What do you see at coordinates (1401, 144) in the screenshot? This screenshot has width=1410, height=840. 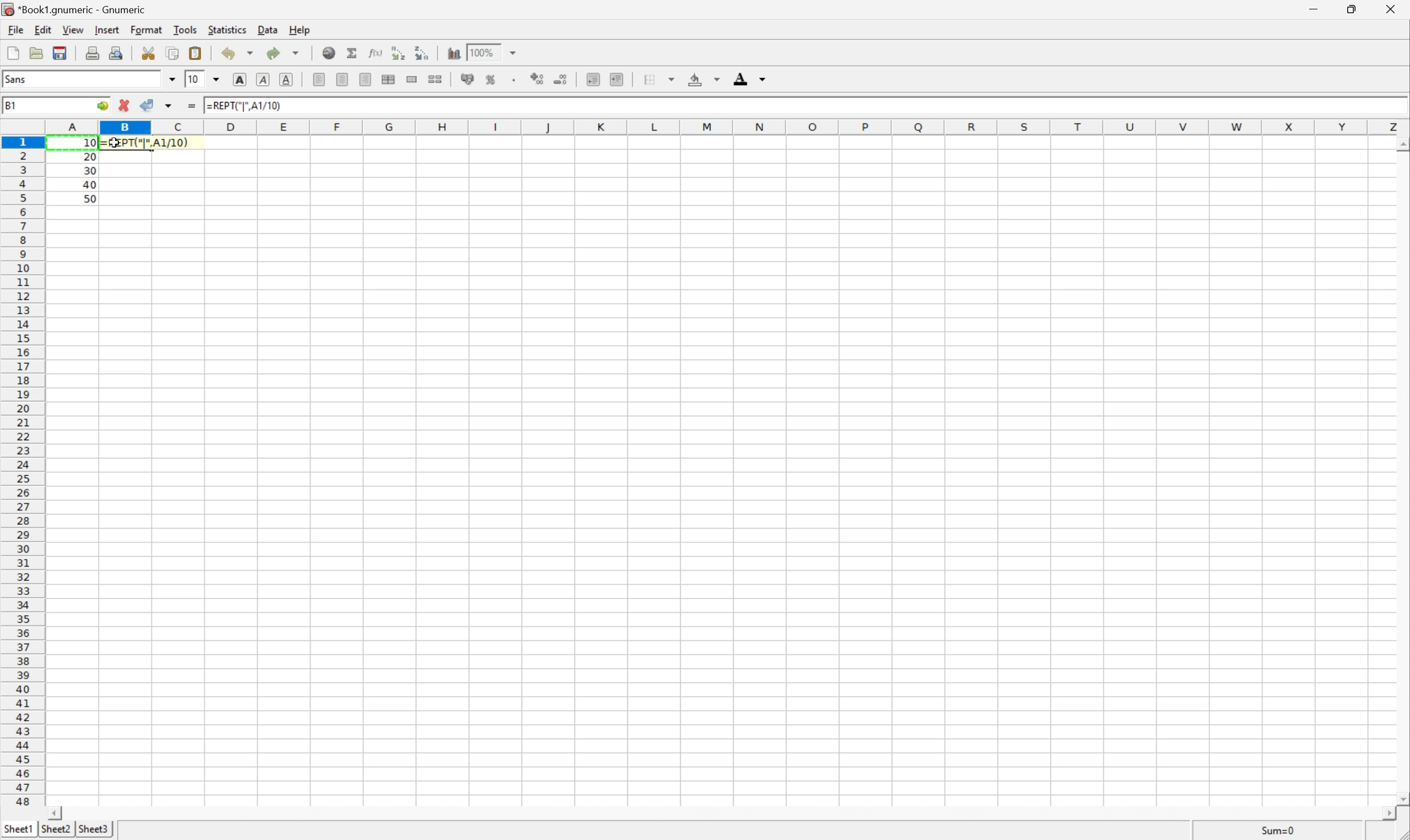 I see `Scroll Up` at bounding box center [1401, 144].